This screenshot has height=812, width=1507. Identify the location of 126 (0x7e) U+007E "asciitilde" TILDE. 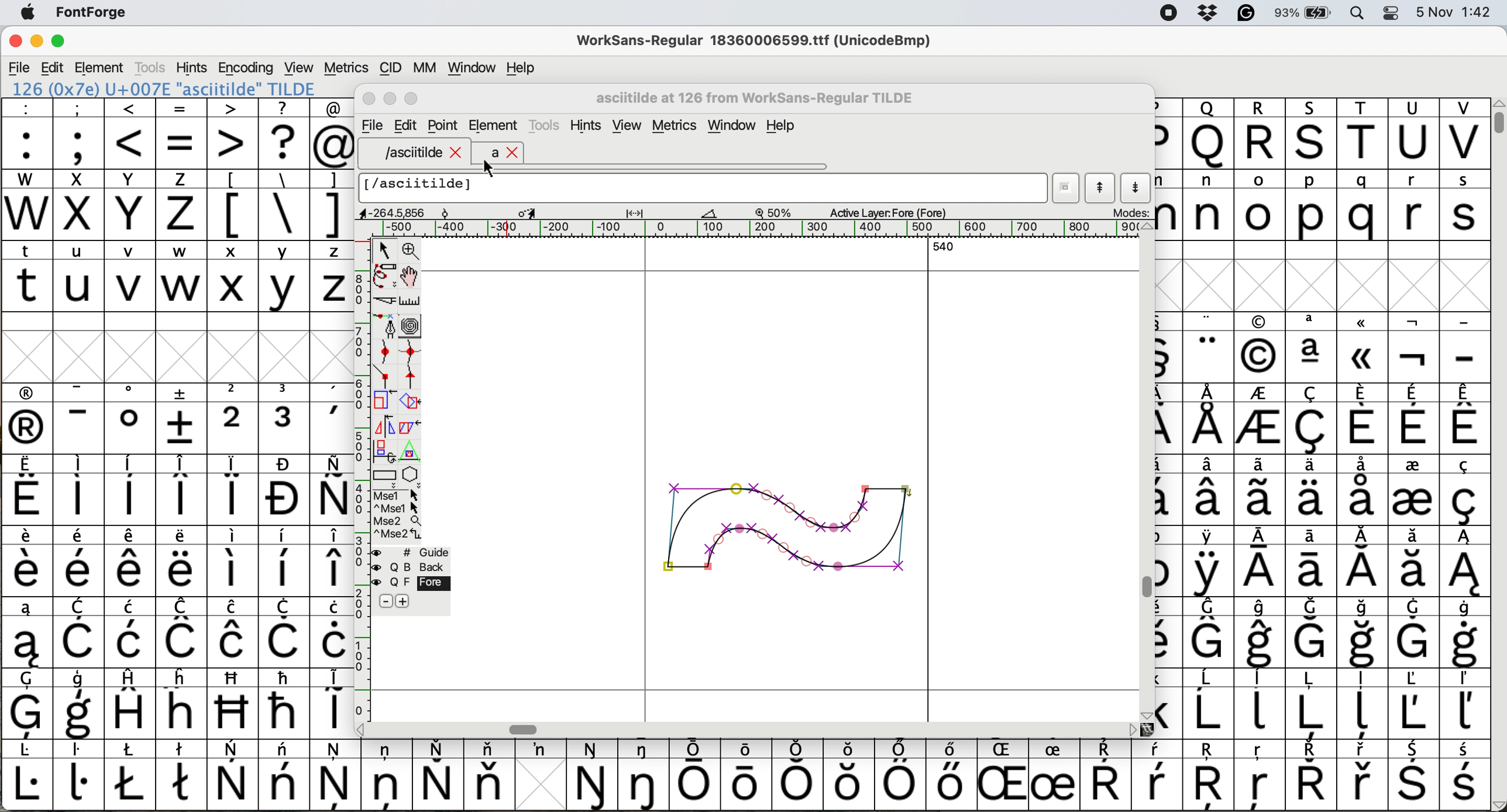
(165, 88).